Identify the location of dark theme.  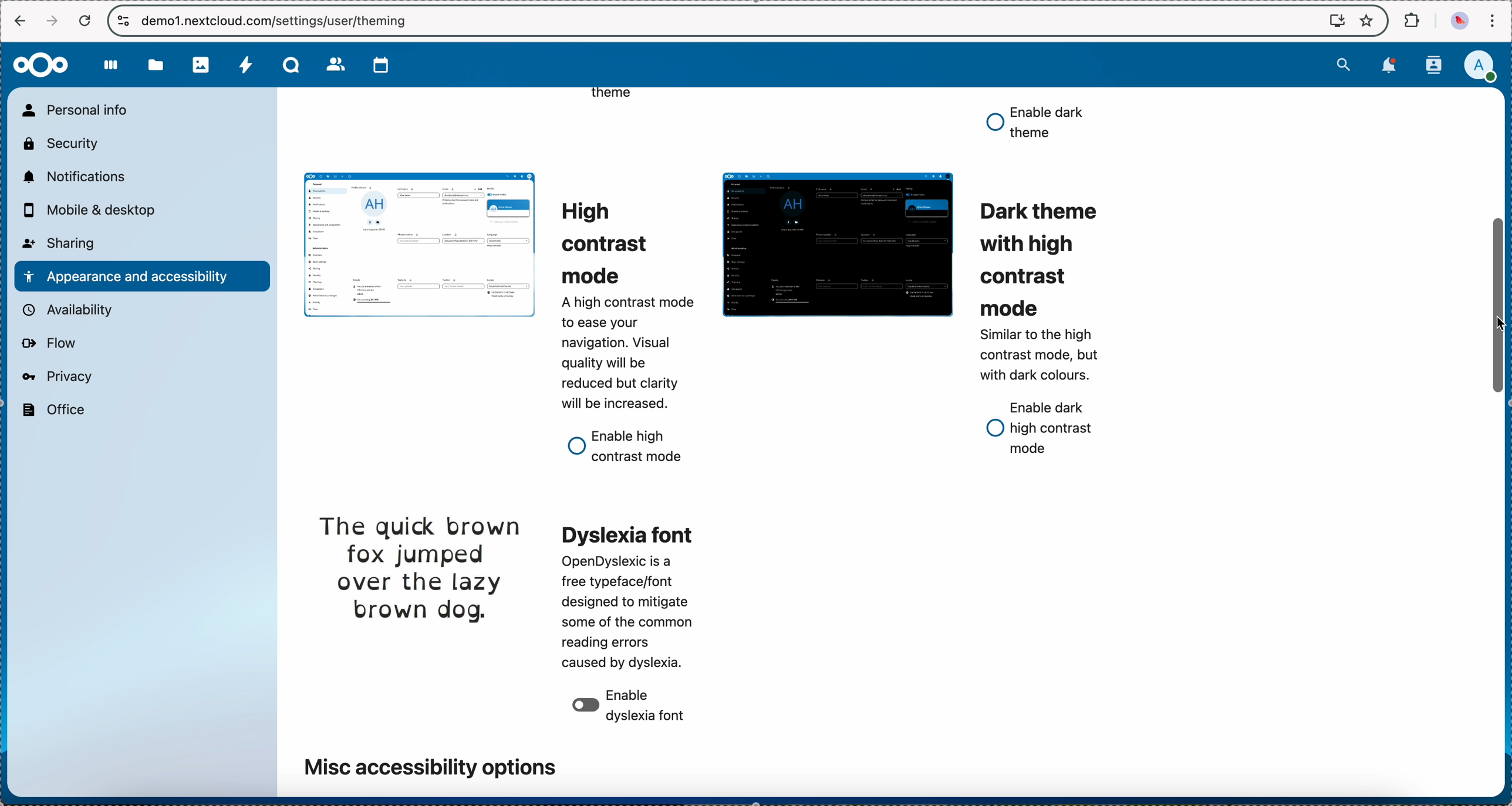
(1035, 258).